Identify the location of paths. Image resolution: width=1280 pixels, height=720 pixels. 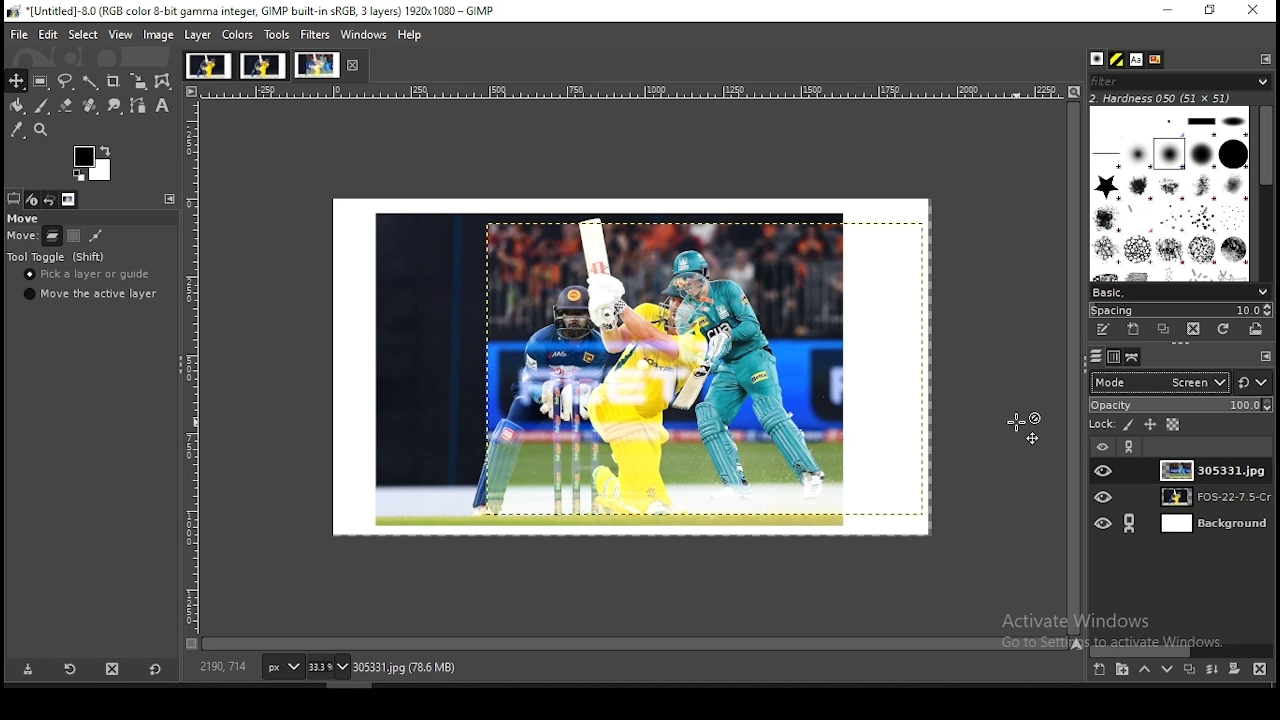
(1134, 358).